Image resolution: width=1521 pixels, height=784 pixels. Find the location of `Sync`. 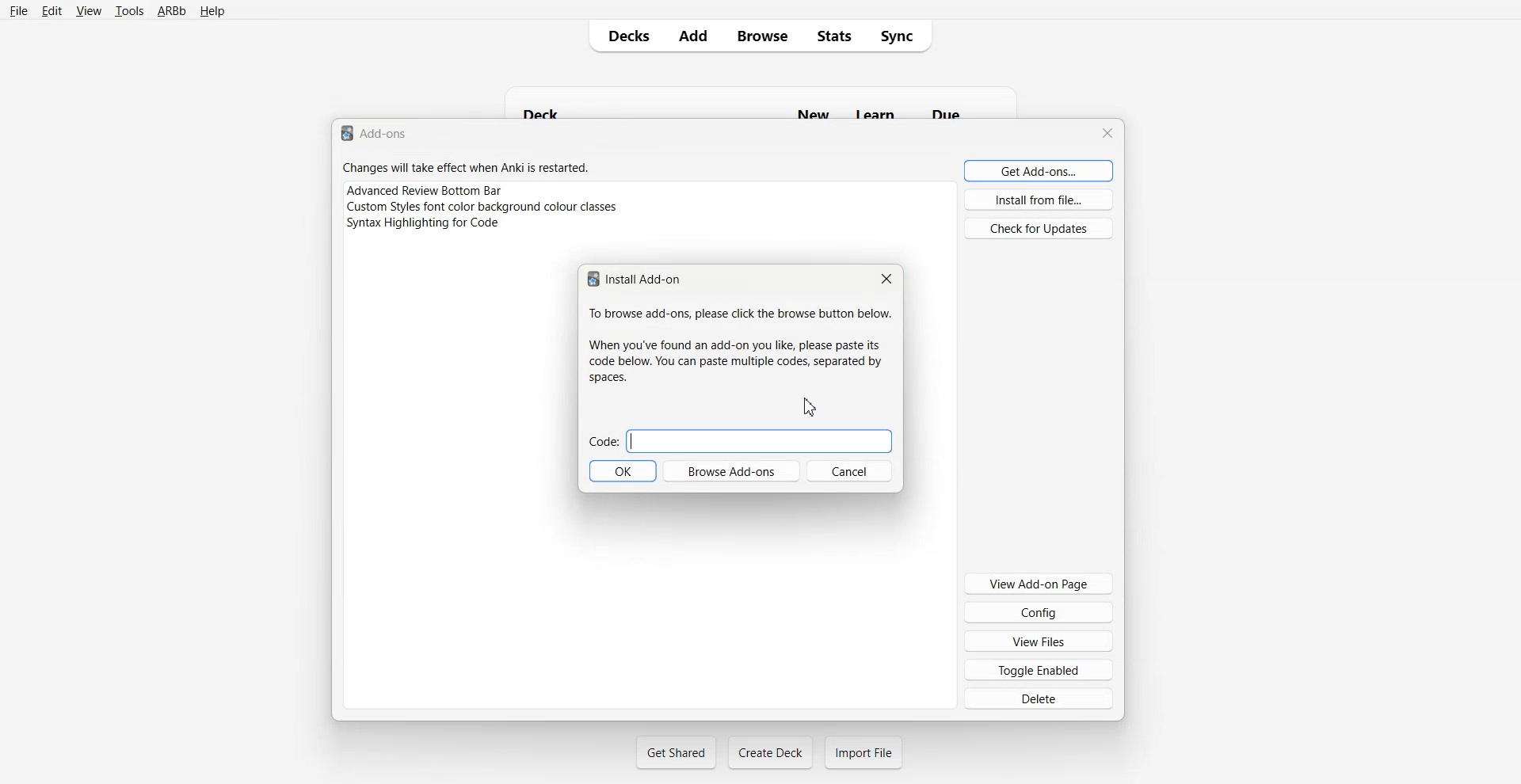

Sync is located at coordinates (904, 36).